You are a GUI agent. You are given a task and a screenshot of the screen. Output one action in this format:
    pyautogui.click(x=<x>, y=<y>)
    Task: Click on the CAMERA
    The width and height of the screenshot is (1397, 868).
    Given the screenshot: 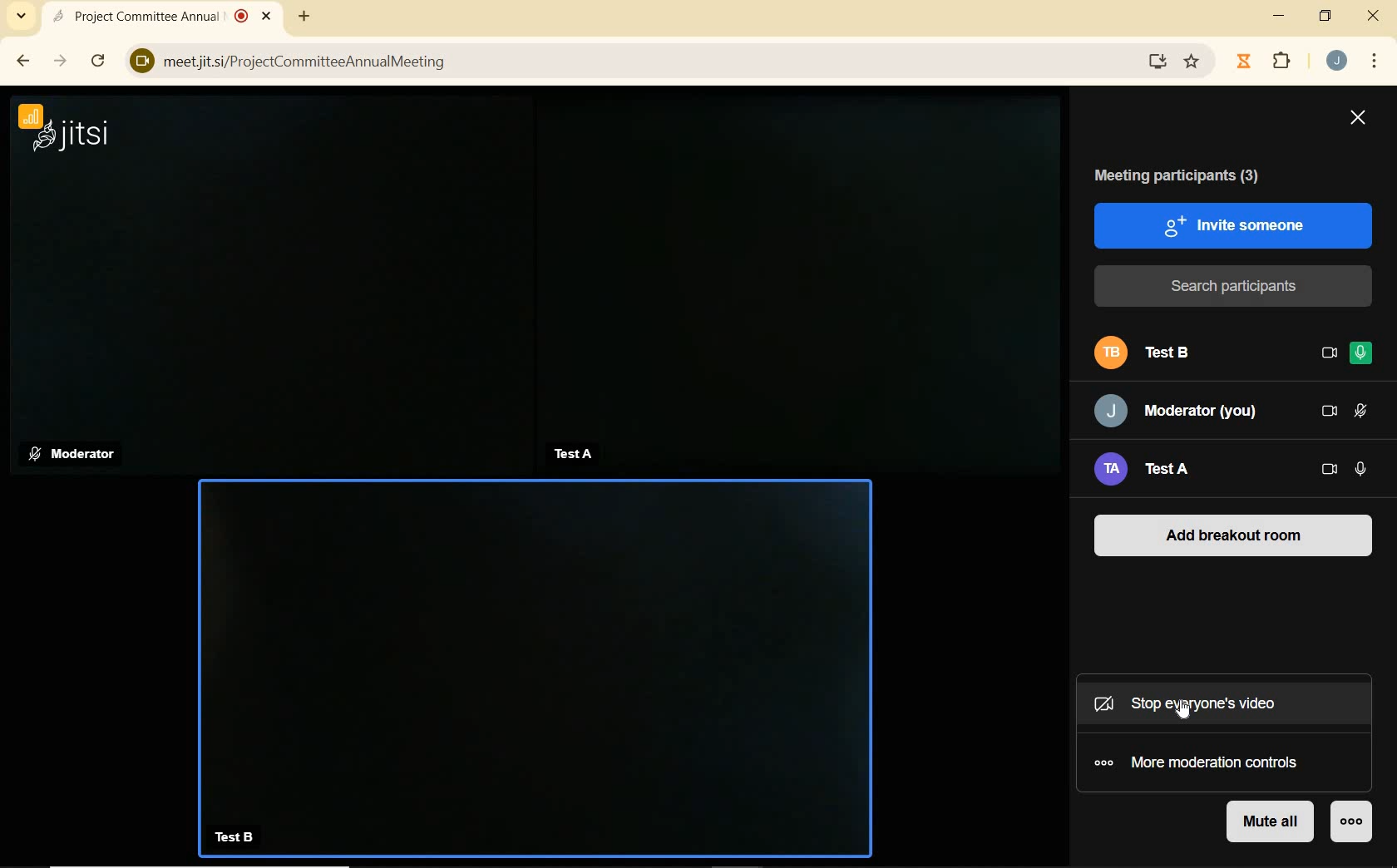 What is the action you would take?
    pyautogui.click(x=1330, y=412)
    